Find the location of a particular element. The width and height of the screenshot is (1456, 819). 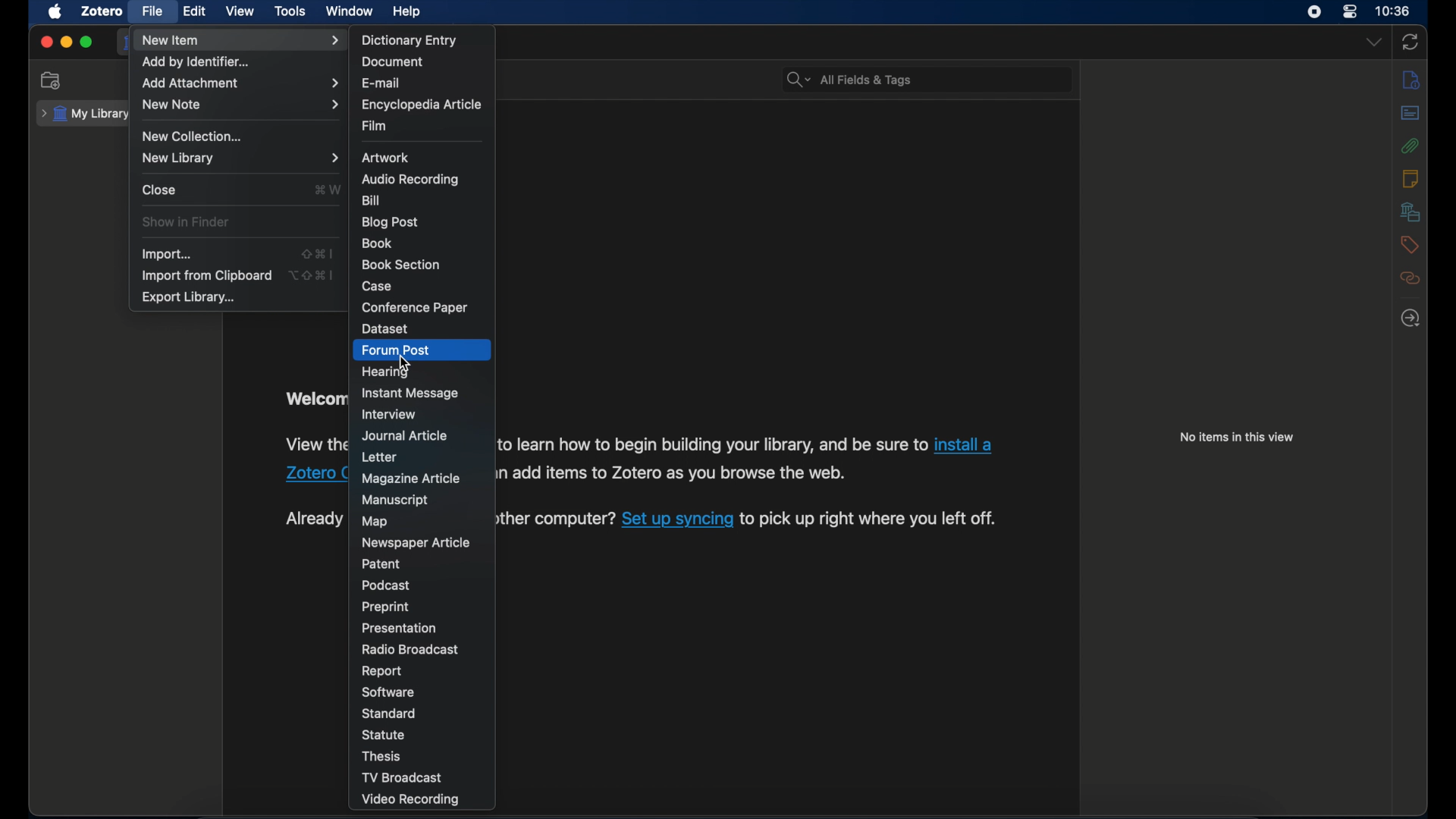

add attachment is located at coordinates (241, 83).